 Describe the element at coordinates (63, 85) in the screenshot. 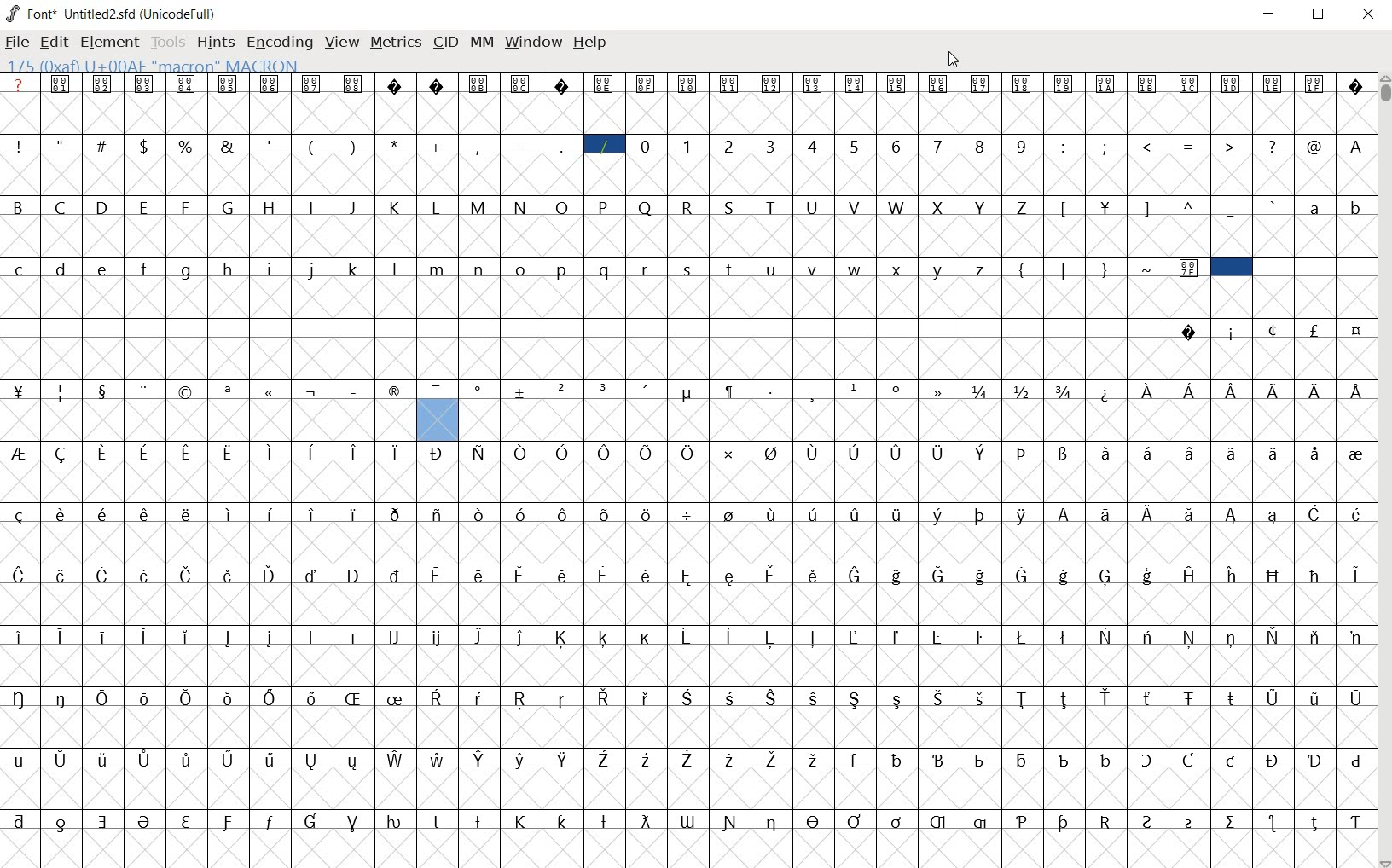

I see `Symbol` at that location.